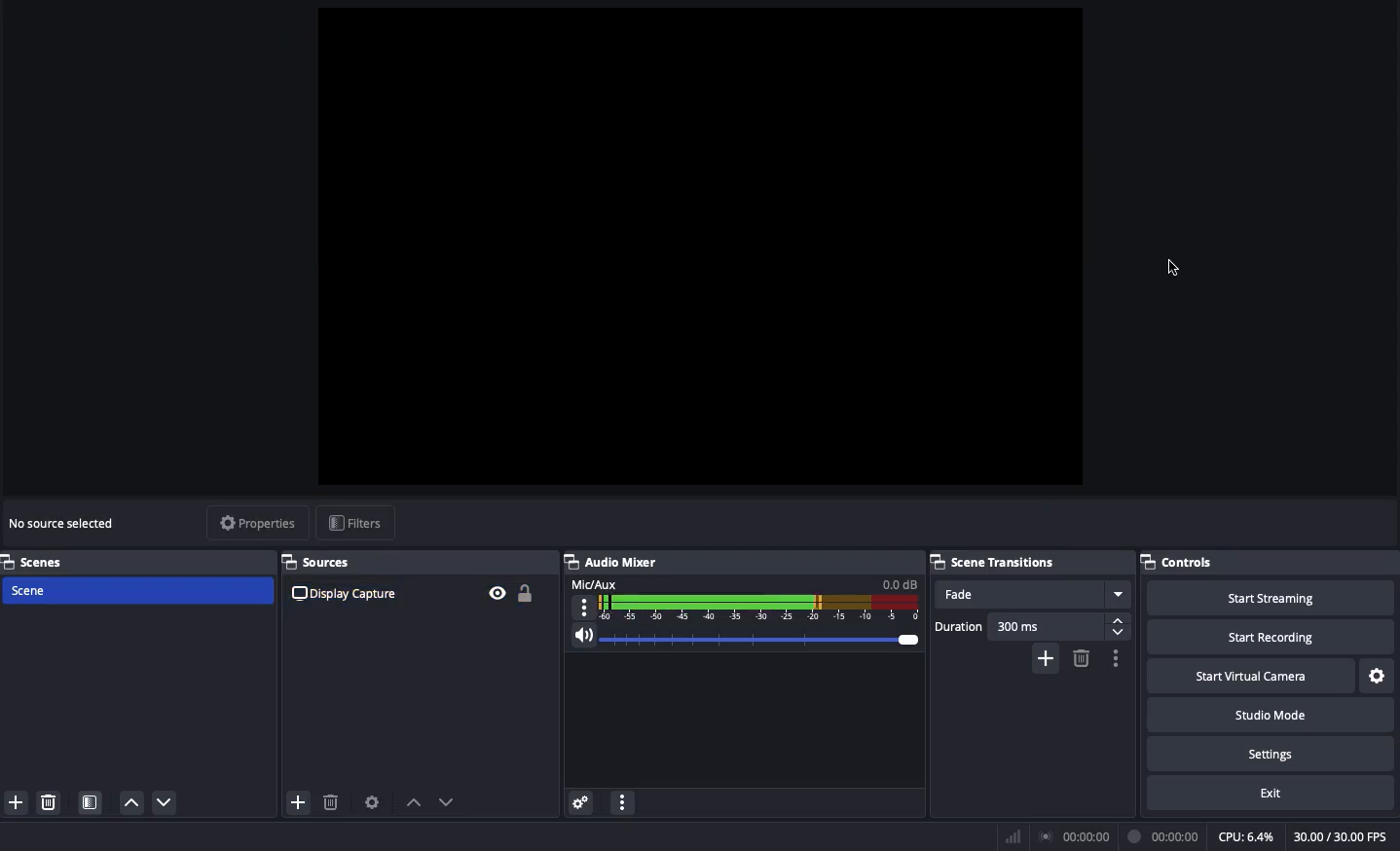  I want to click on canvas, so click(691, 259).